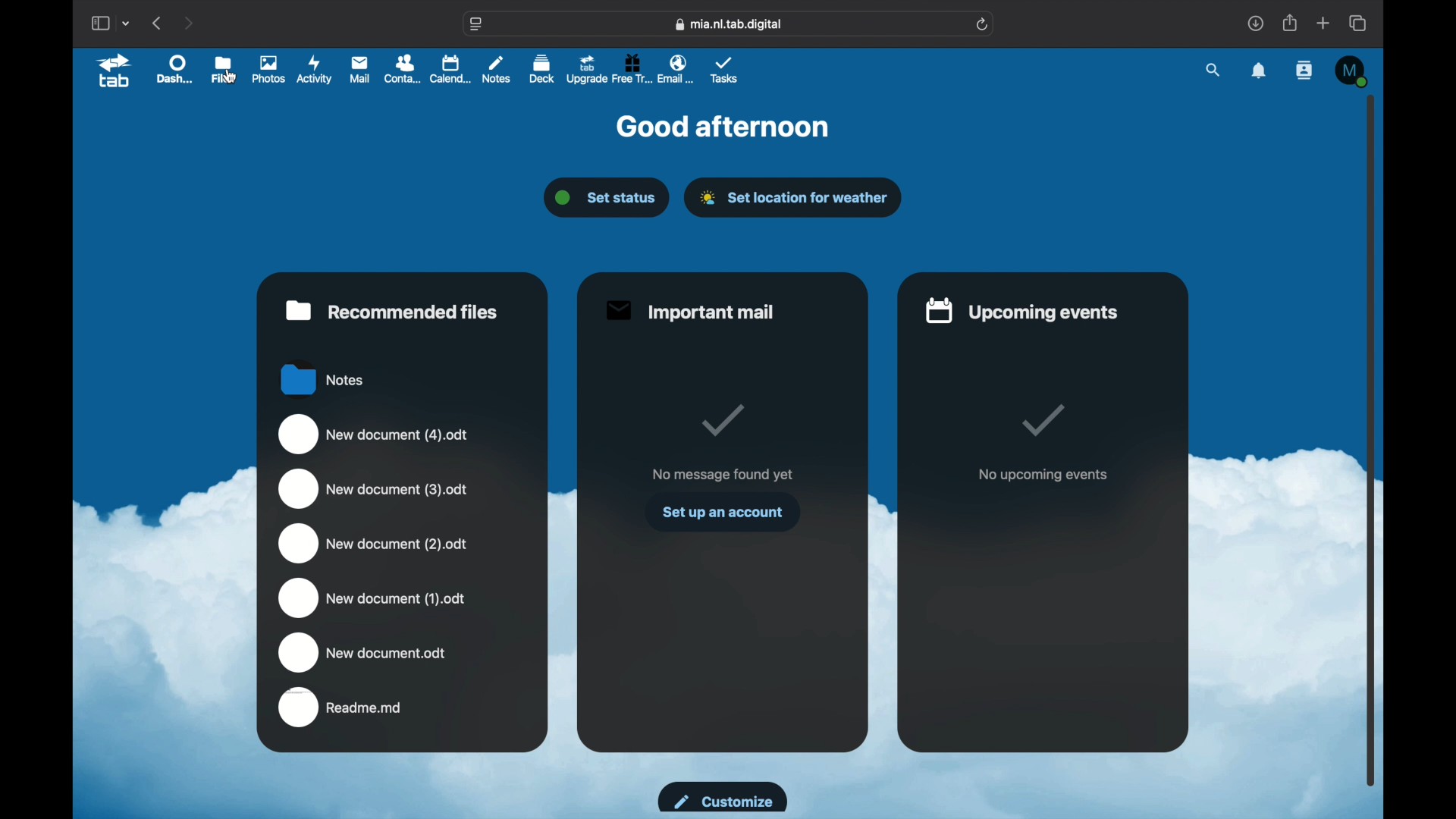  Describe the element at coordinates (1371, 441) in the screenshot. I see `scroll box` at that location.